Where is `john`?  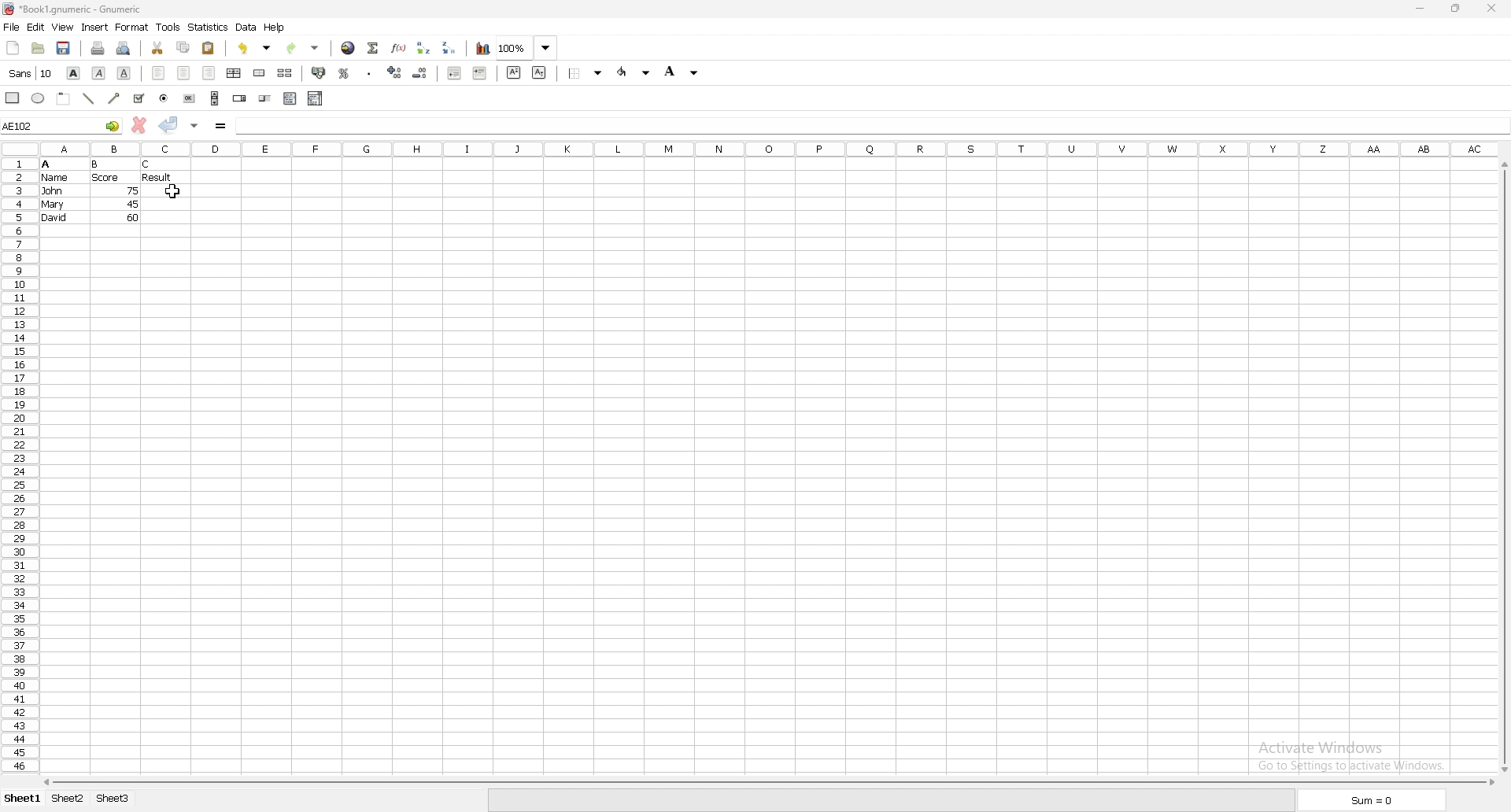
john is located at coordinates (52, 190).